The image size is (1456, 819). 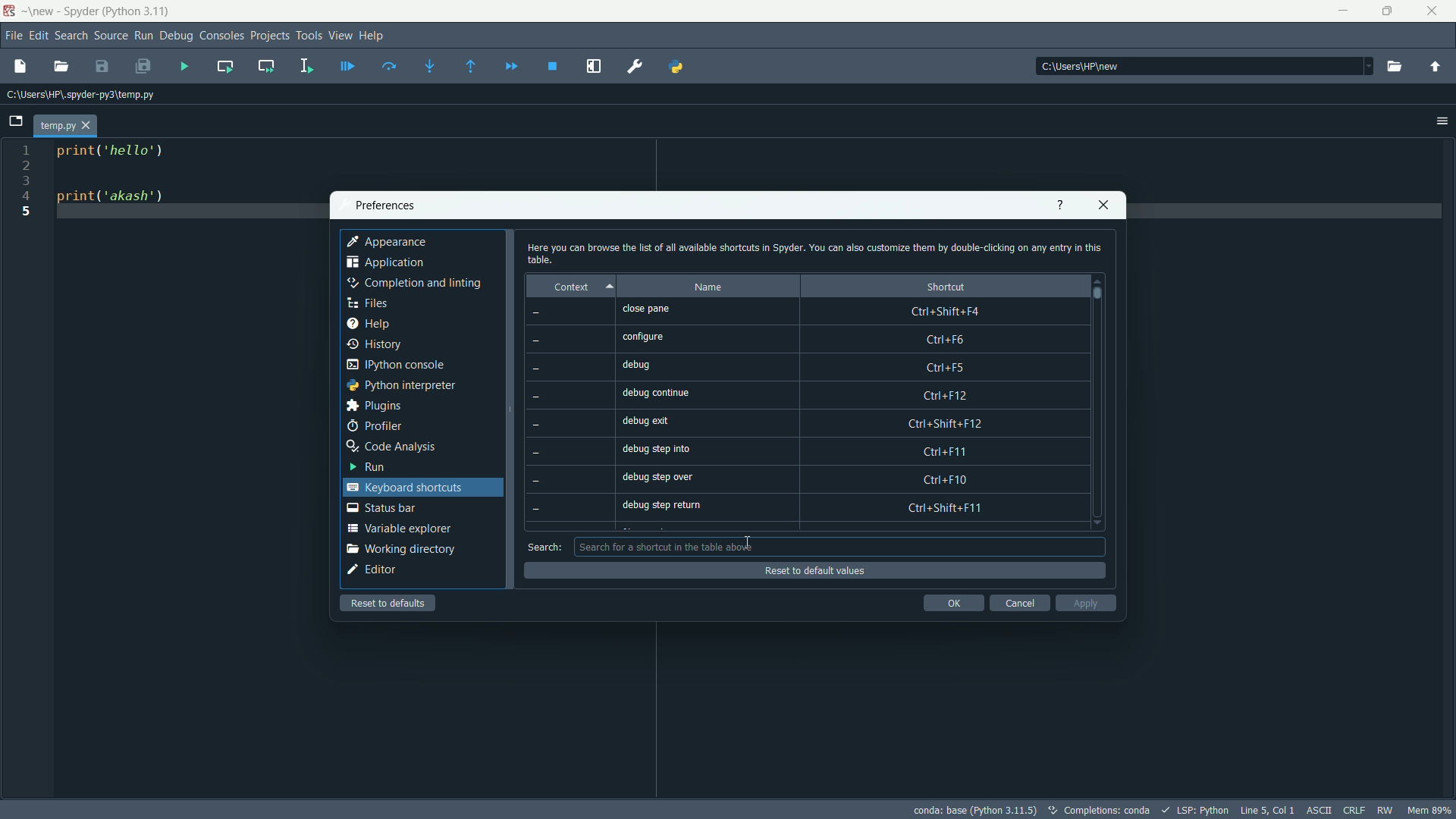 I want to click on run current line, so click(x=391, y=65).